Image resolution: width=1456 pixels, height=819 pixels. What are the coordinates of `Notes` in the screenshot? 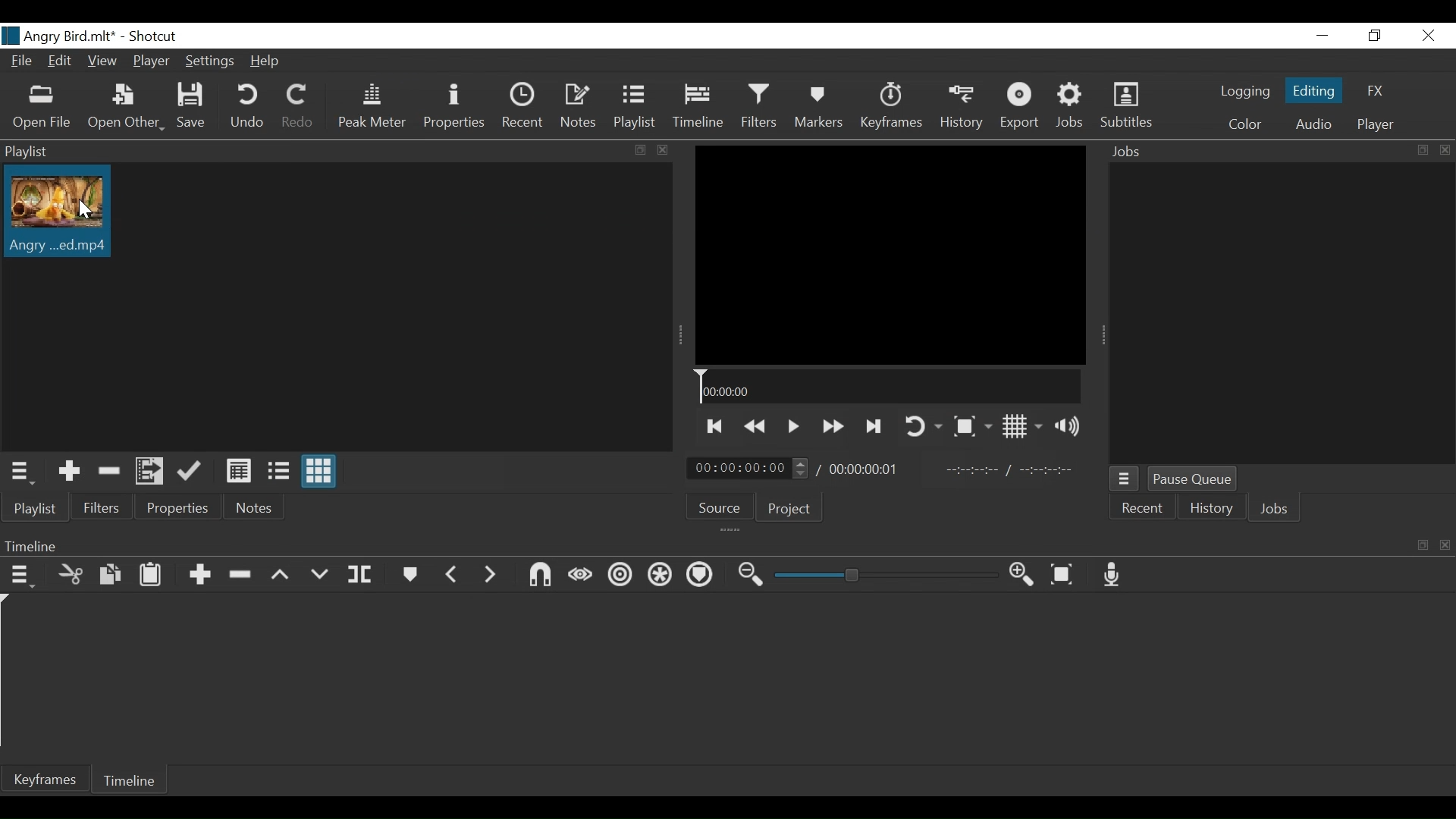 It's located at (579, 107).